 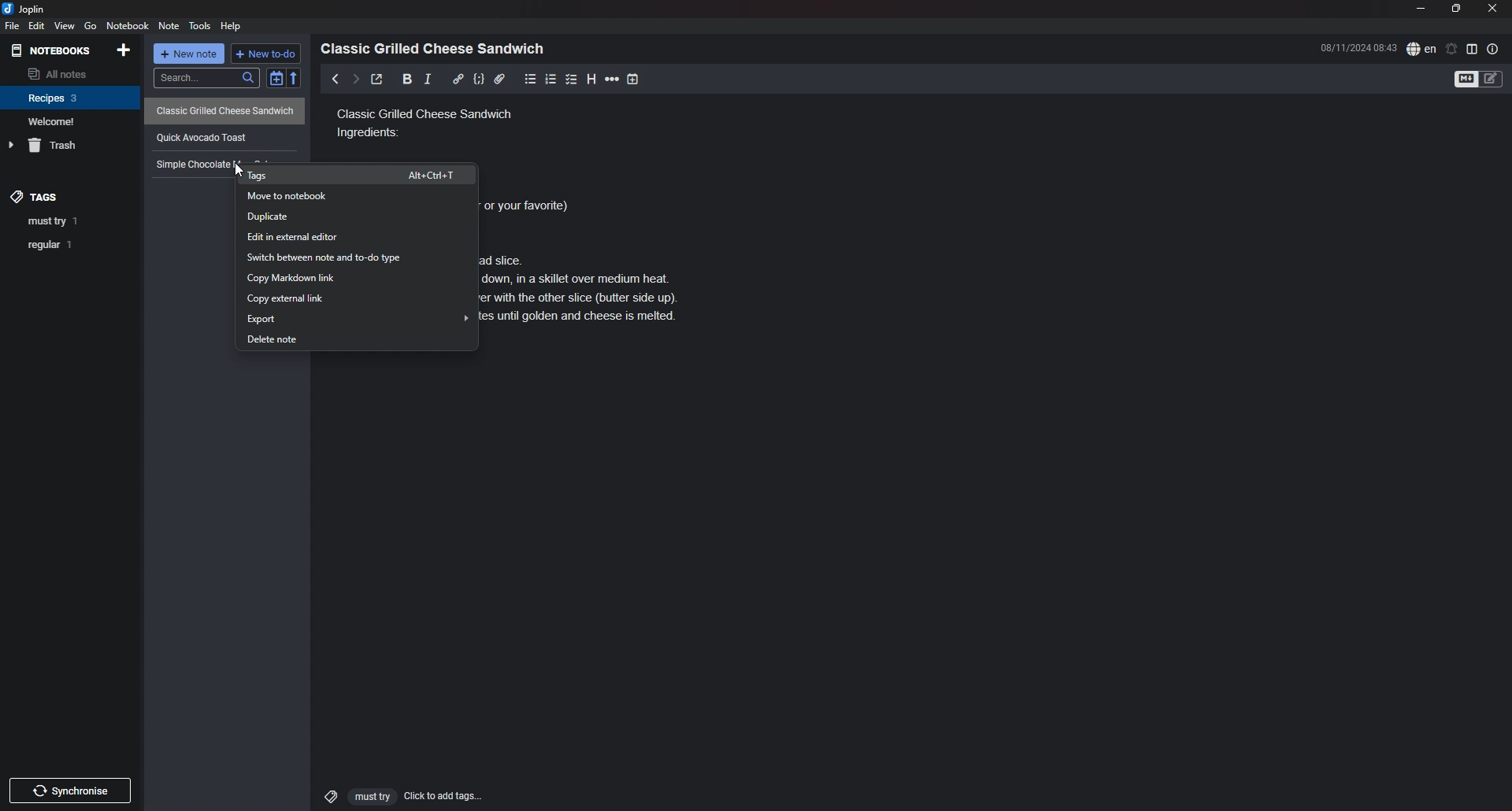 What do you see at coordinates (276, 80) in the screenshot?
I see `toggle sort order` at bounding box center [276, 80].